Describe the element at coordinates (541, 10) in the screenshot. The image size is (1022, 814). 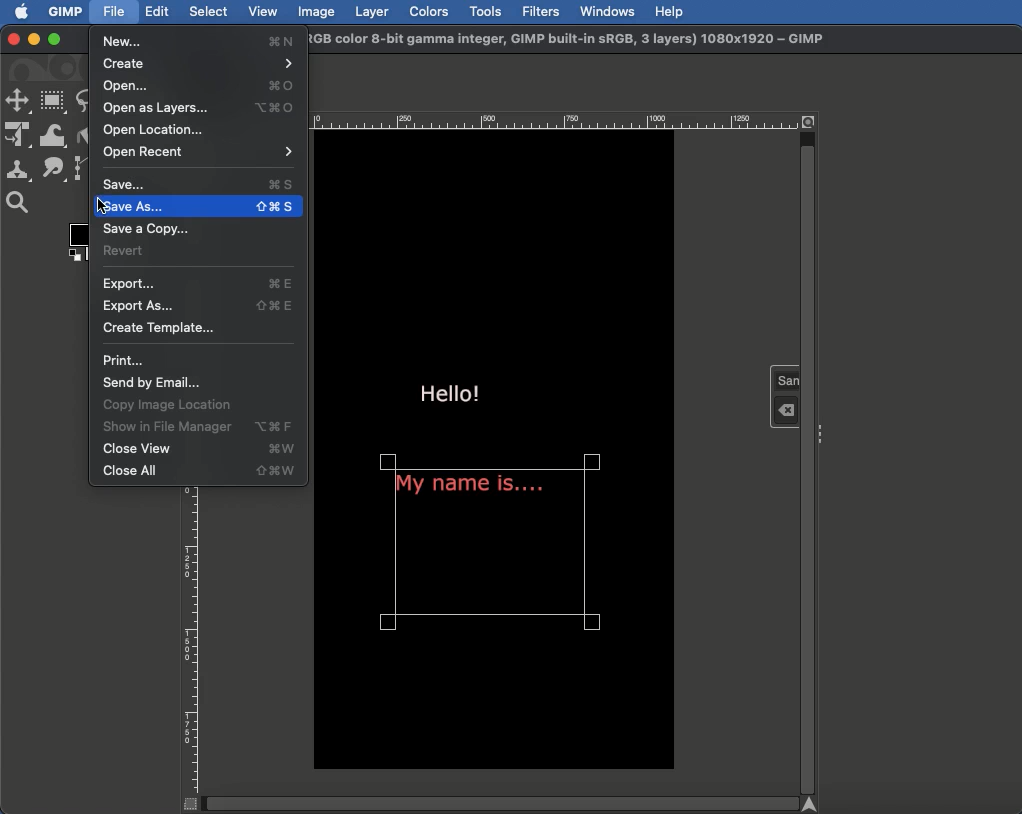
I see `Filters` at that location.